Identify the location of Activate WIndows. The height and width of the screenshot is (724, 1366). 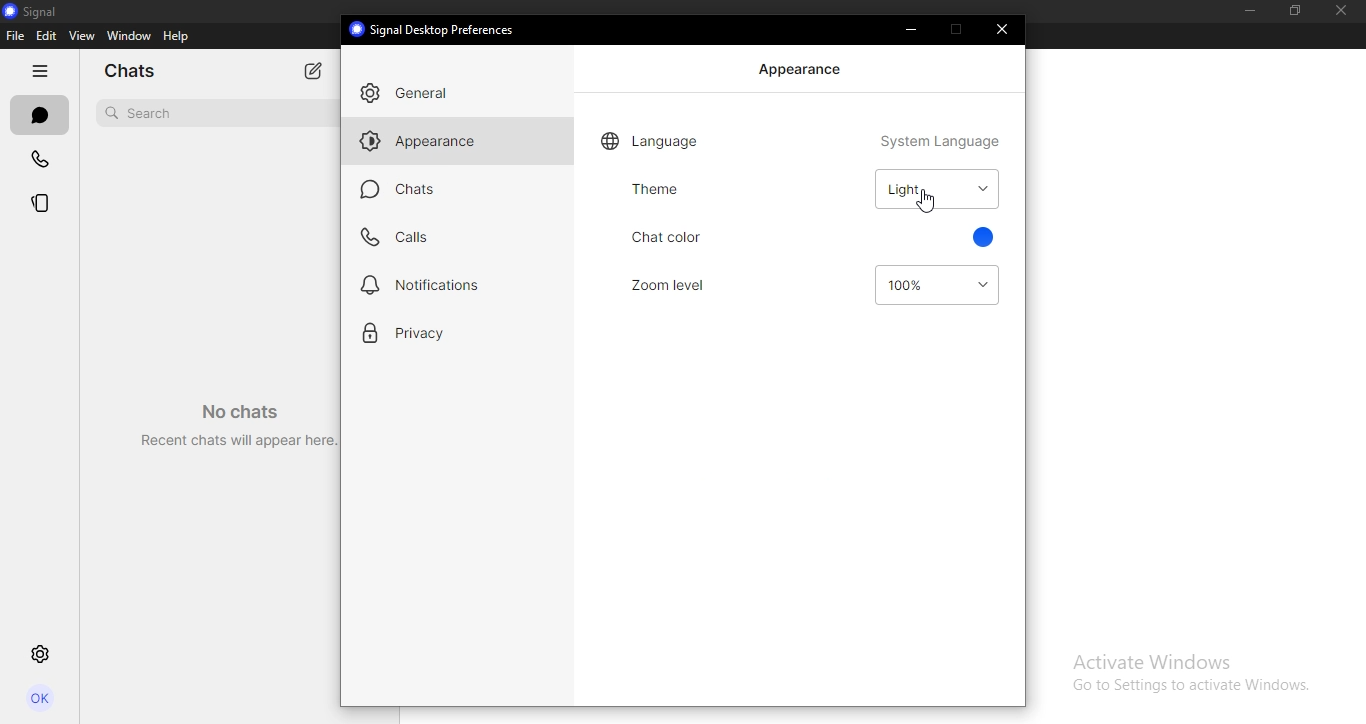
(1180, 670).